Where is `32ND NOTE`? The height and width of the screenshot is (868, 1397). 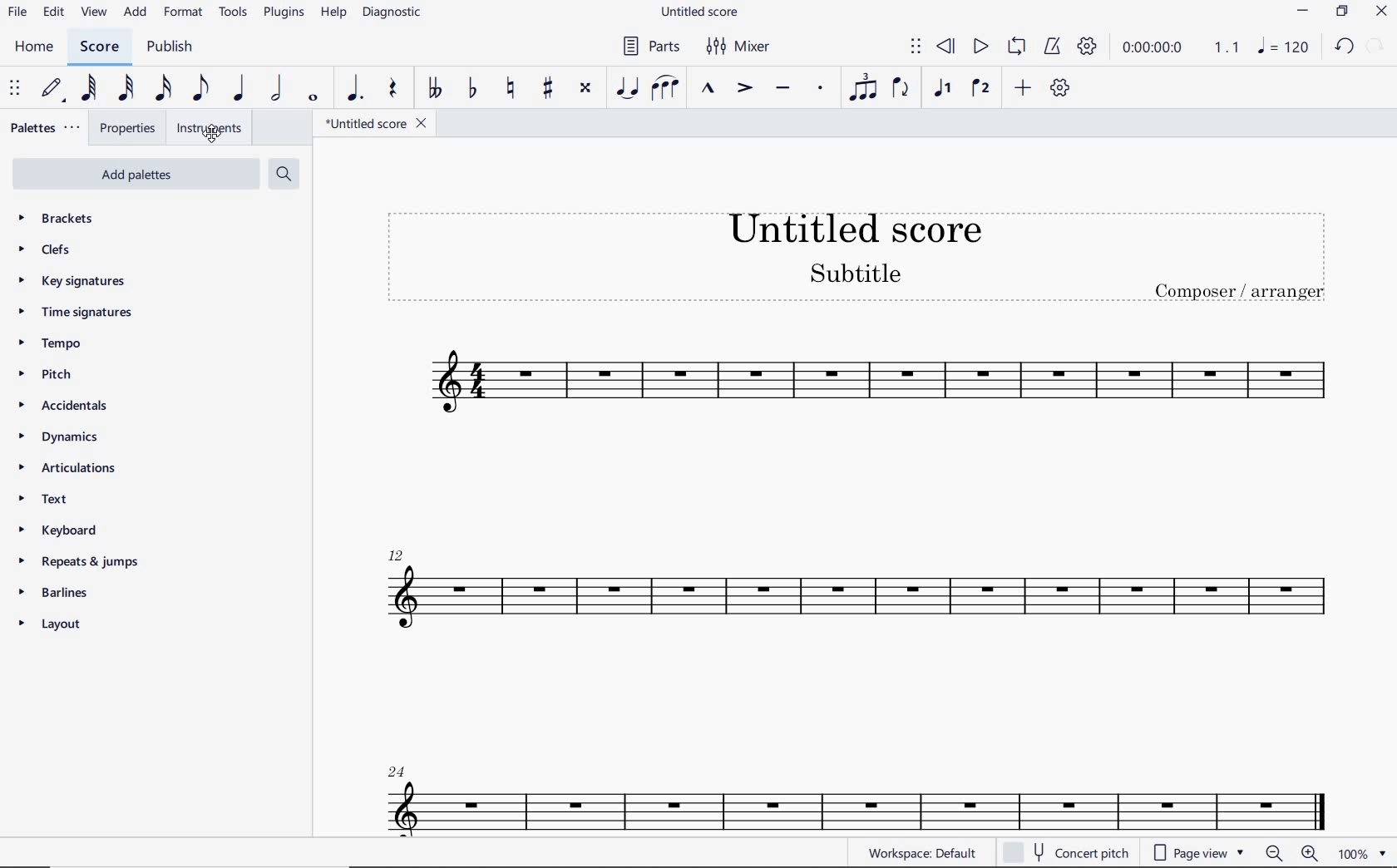 32ND NOTE is located at coordinates (126, 89).